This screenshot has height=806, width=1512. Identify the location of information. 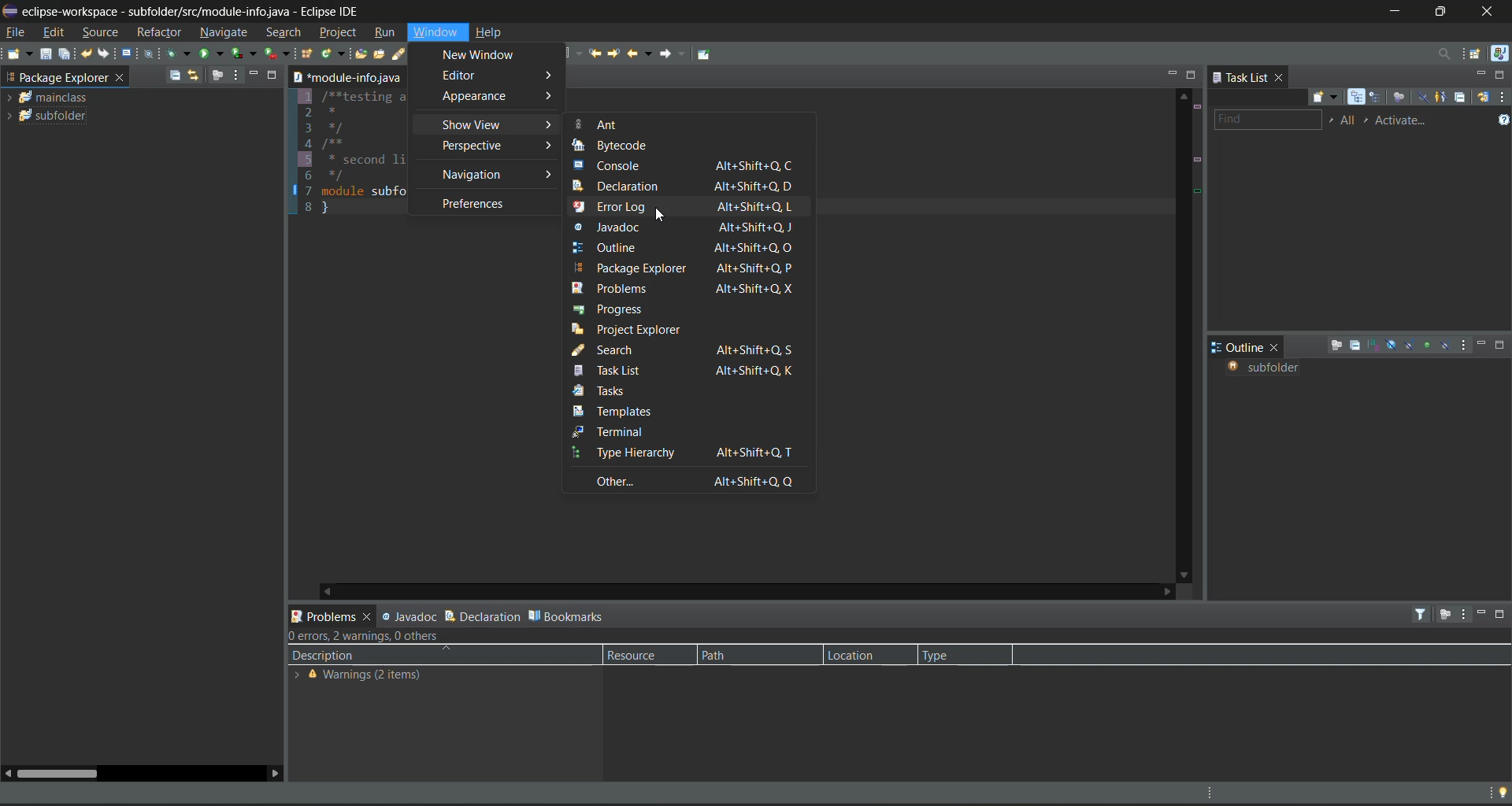
(372, 676).